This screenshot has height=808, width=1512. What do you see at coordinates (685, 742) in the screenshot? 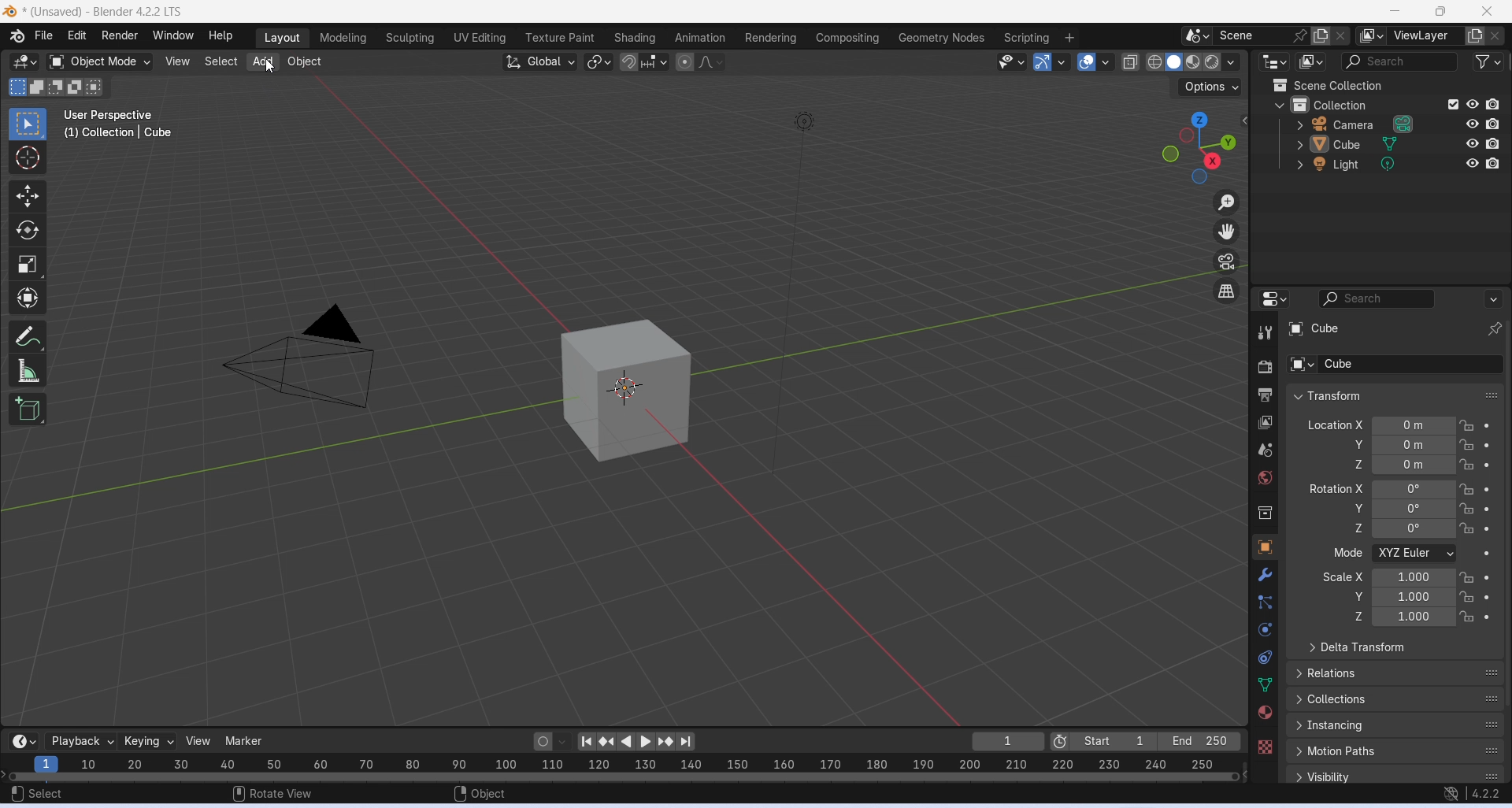
I see `jump to endpoint` at bounding box center [685, 742].